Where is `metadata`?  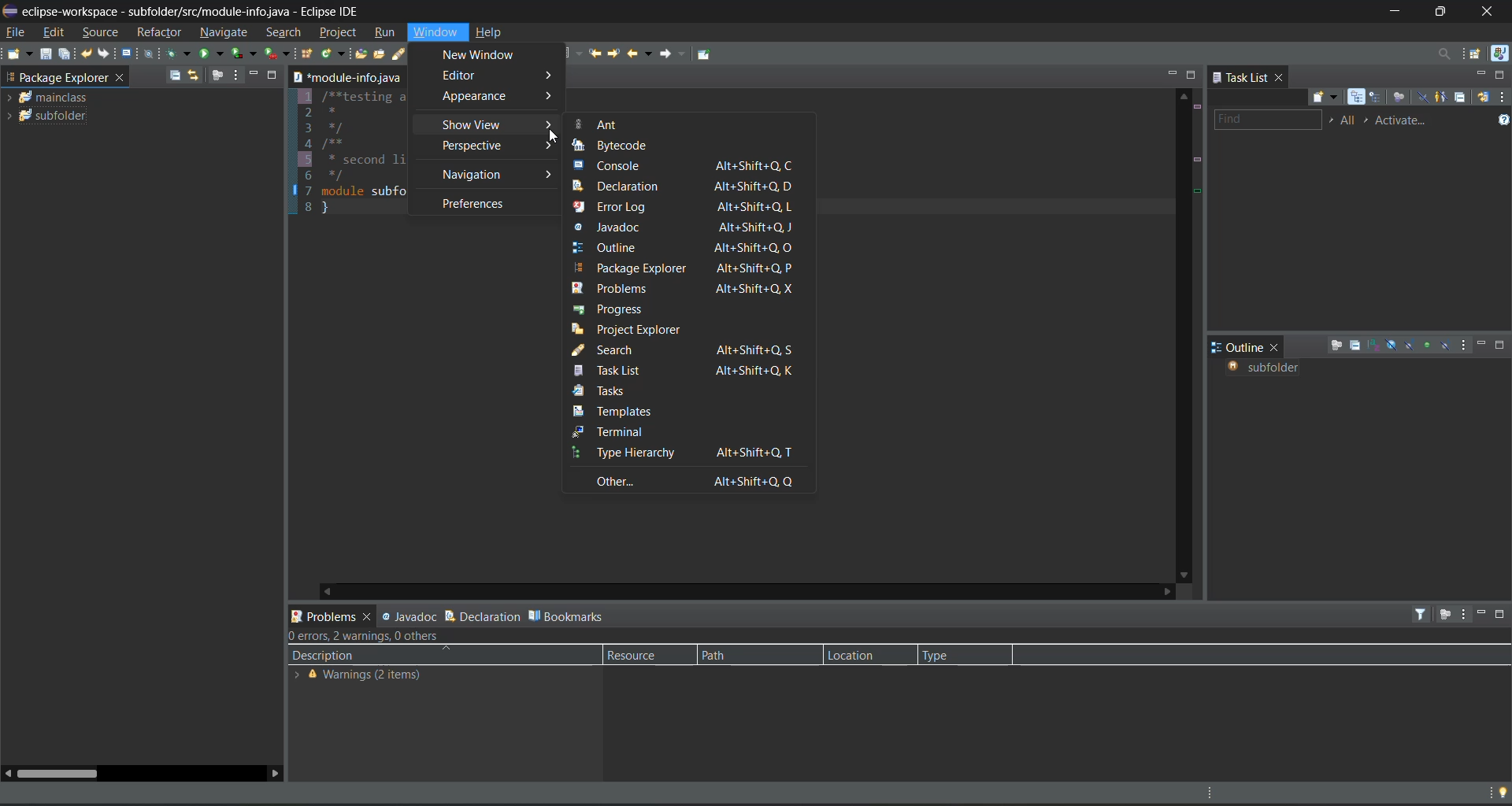 metadata is located at coordinates (368, 638).